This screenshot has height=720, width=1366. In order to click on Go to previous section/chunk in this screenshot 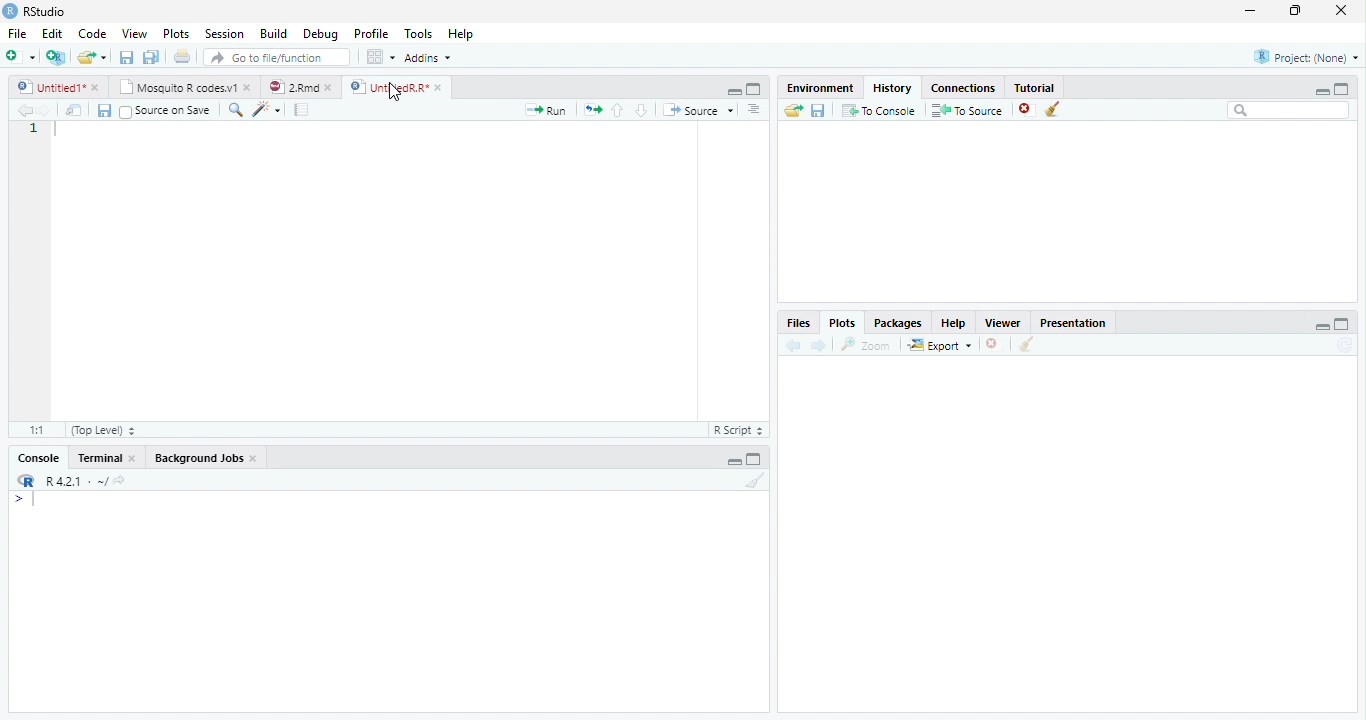, I will do `click(617, 110)`.